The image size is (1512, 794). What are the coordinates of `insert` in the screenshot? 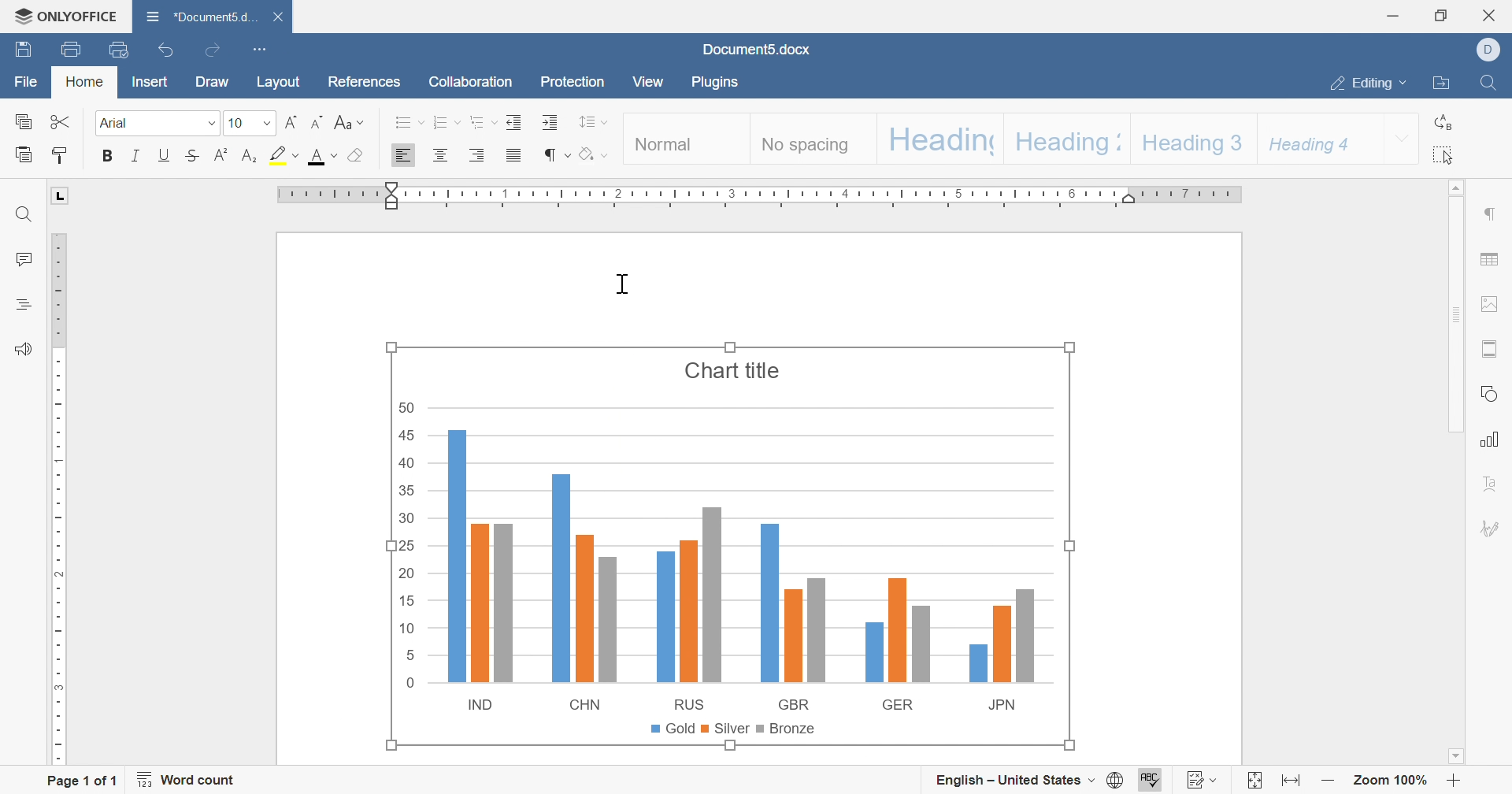 It's located at (150, 80).